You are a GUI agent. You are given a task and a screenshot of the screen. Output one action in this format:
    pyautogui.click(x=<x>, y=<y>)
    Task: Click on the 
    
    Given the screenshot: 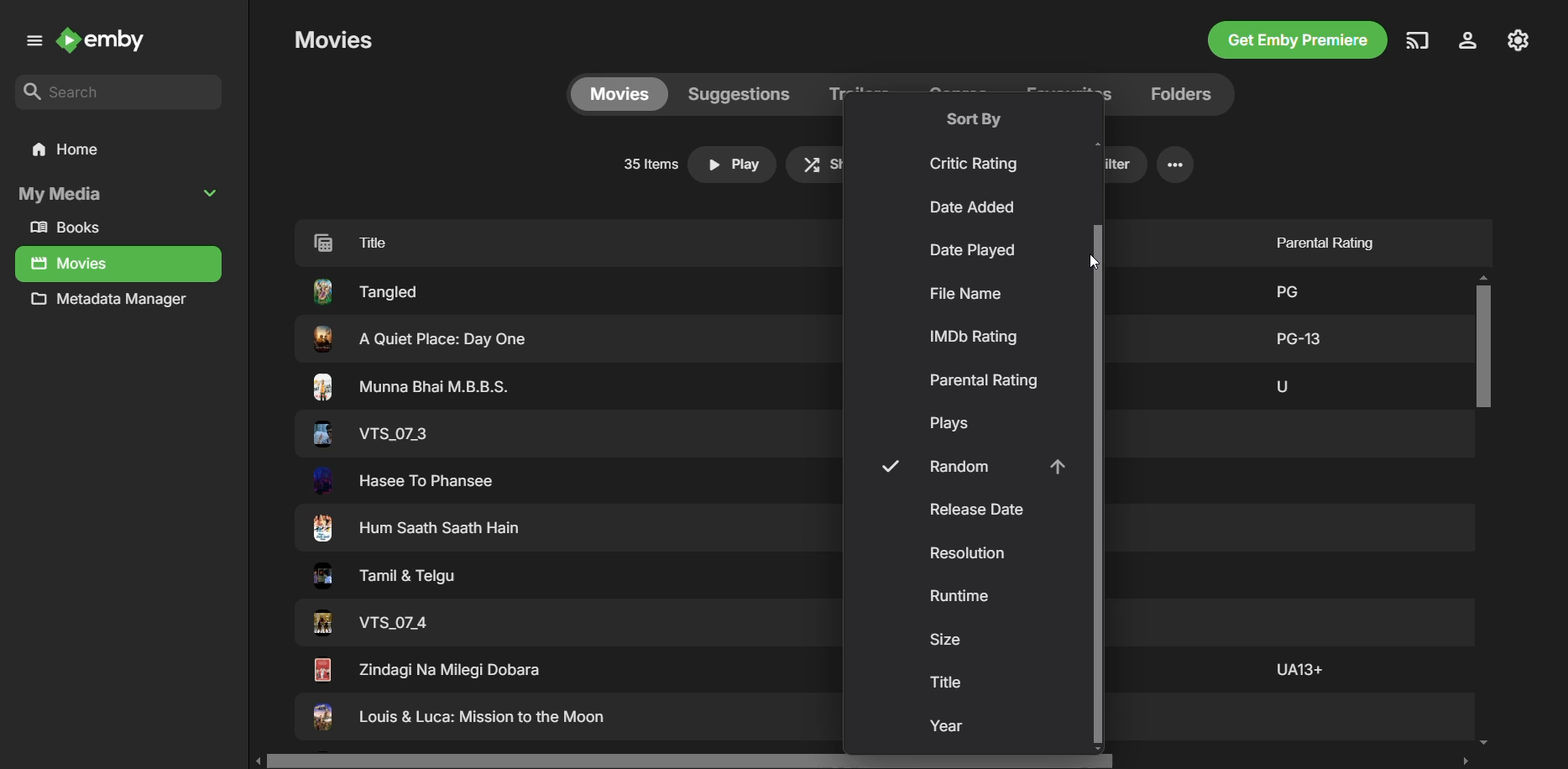 What is the action you would take?
    pyautogui.click(x=368, y=433)
    